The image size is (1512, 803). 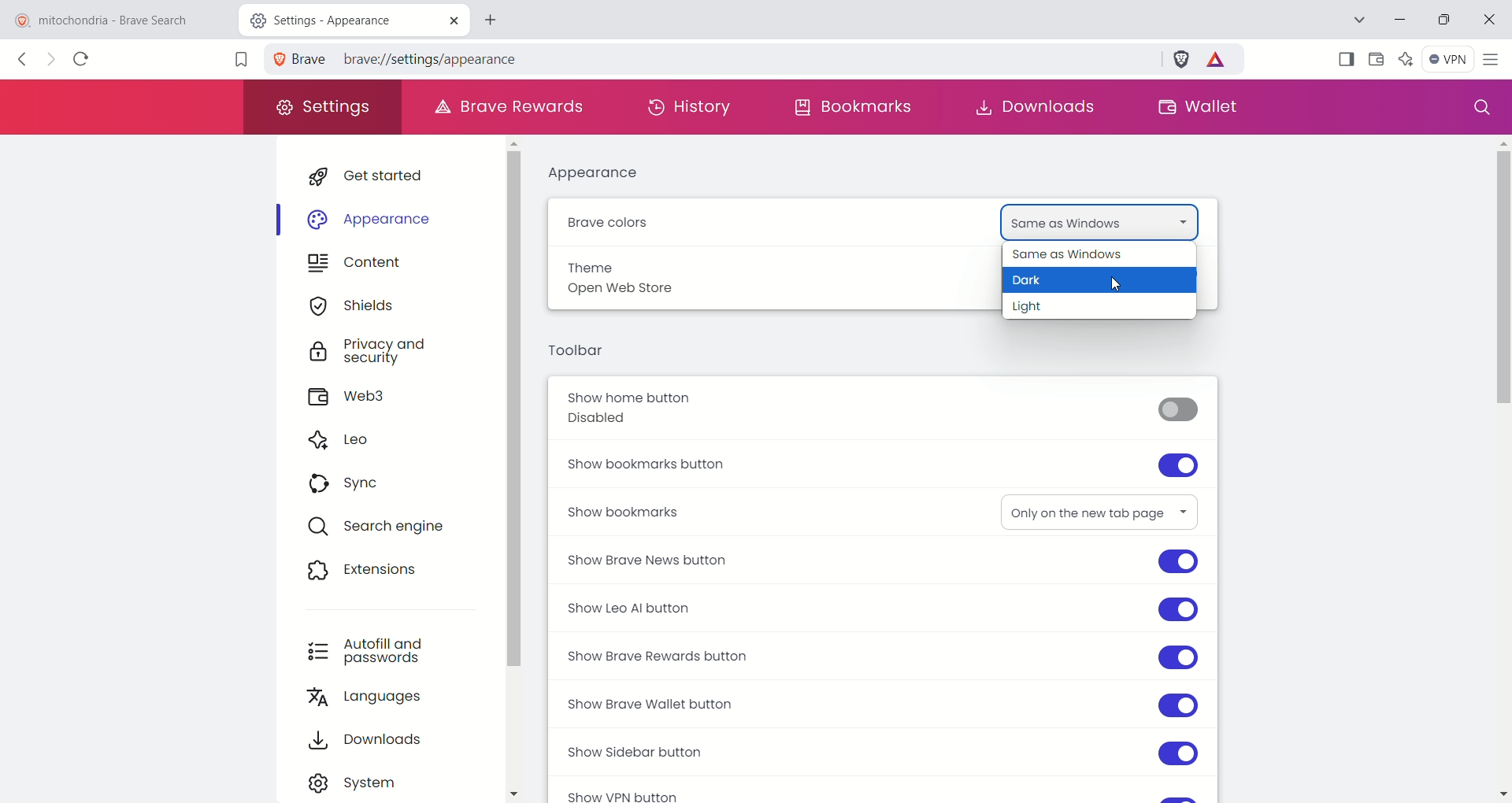 I want to click on search tab, so click(x=1357, y=19).